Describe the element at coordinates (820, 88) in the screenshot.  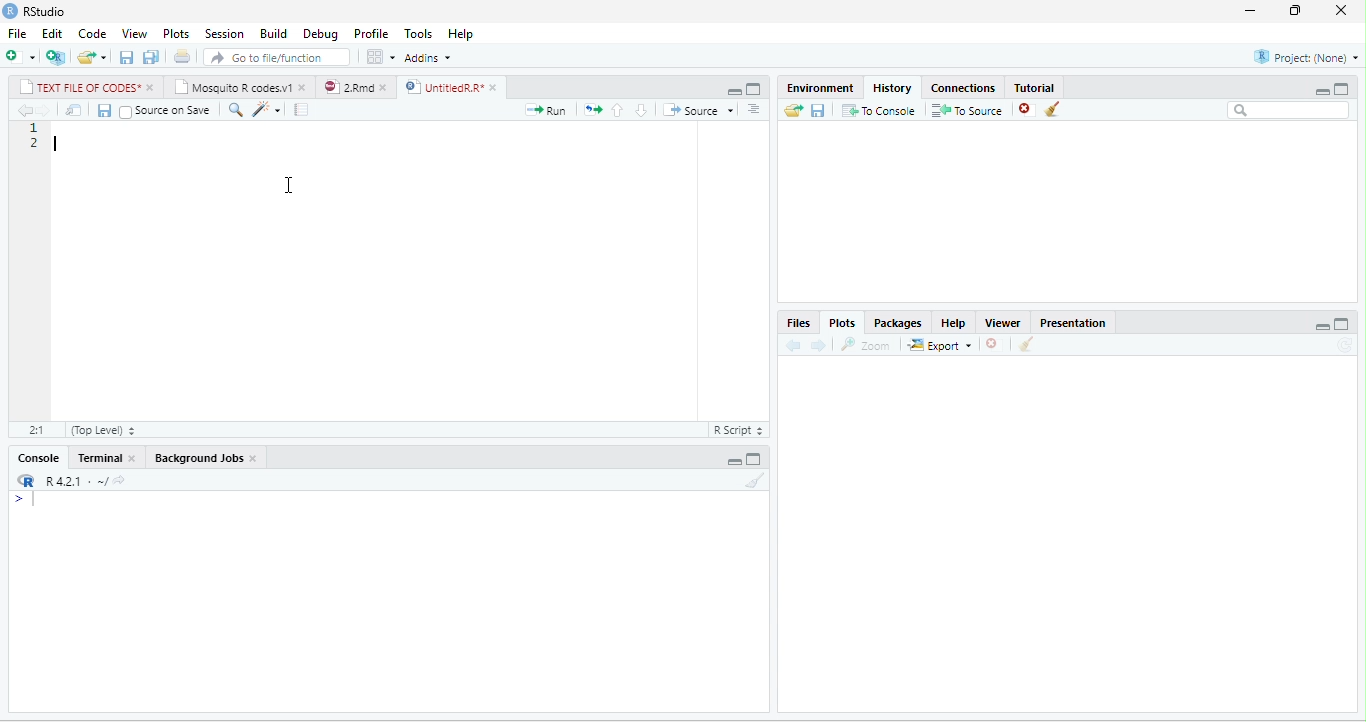
I see `Environment` at that location.